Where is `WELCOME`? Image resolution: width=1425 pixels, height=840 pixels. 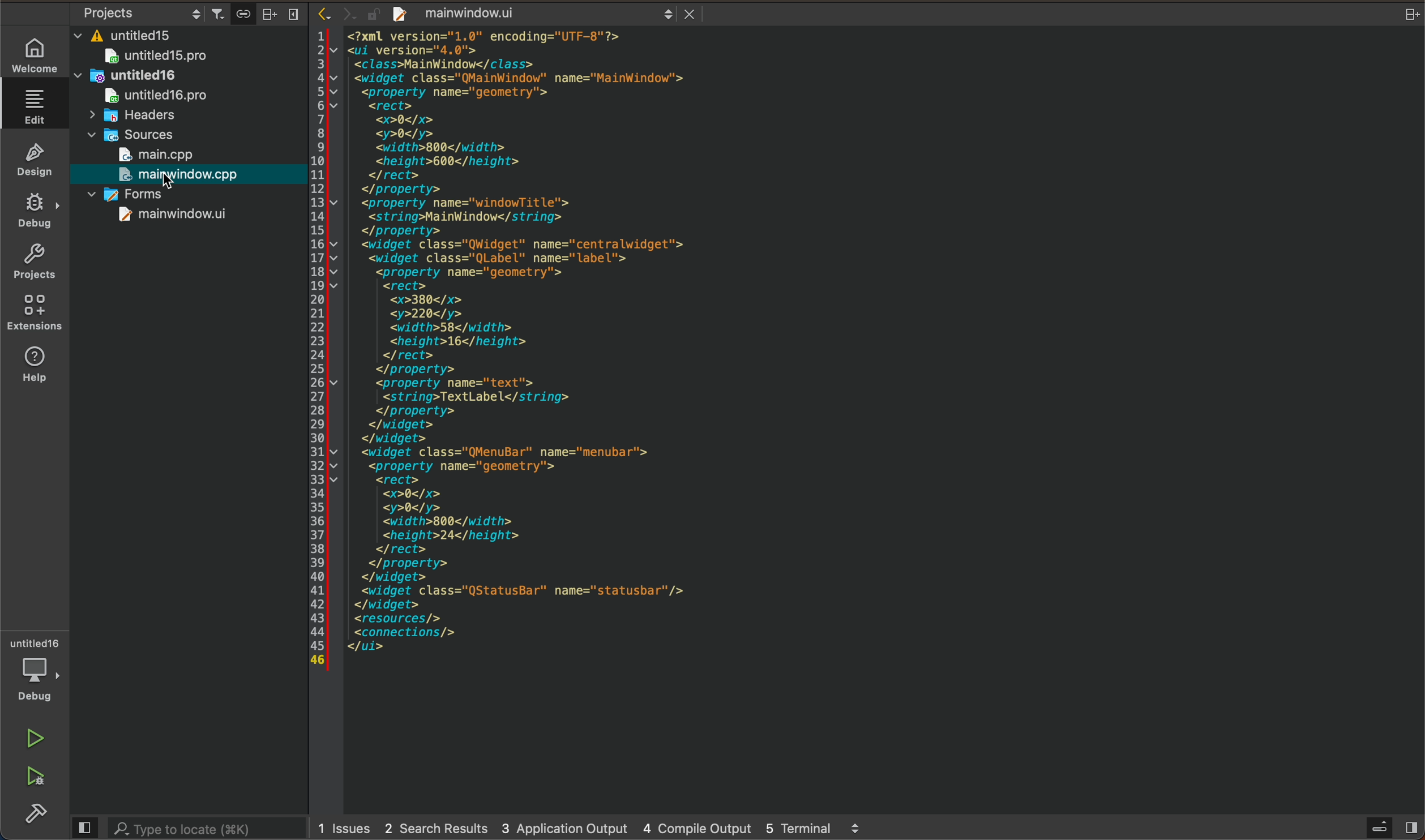 WELCOME is located at coordinates (34, 54).